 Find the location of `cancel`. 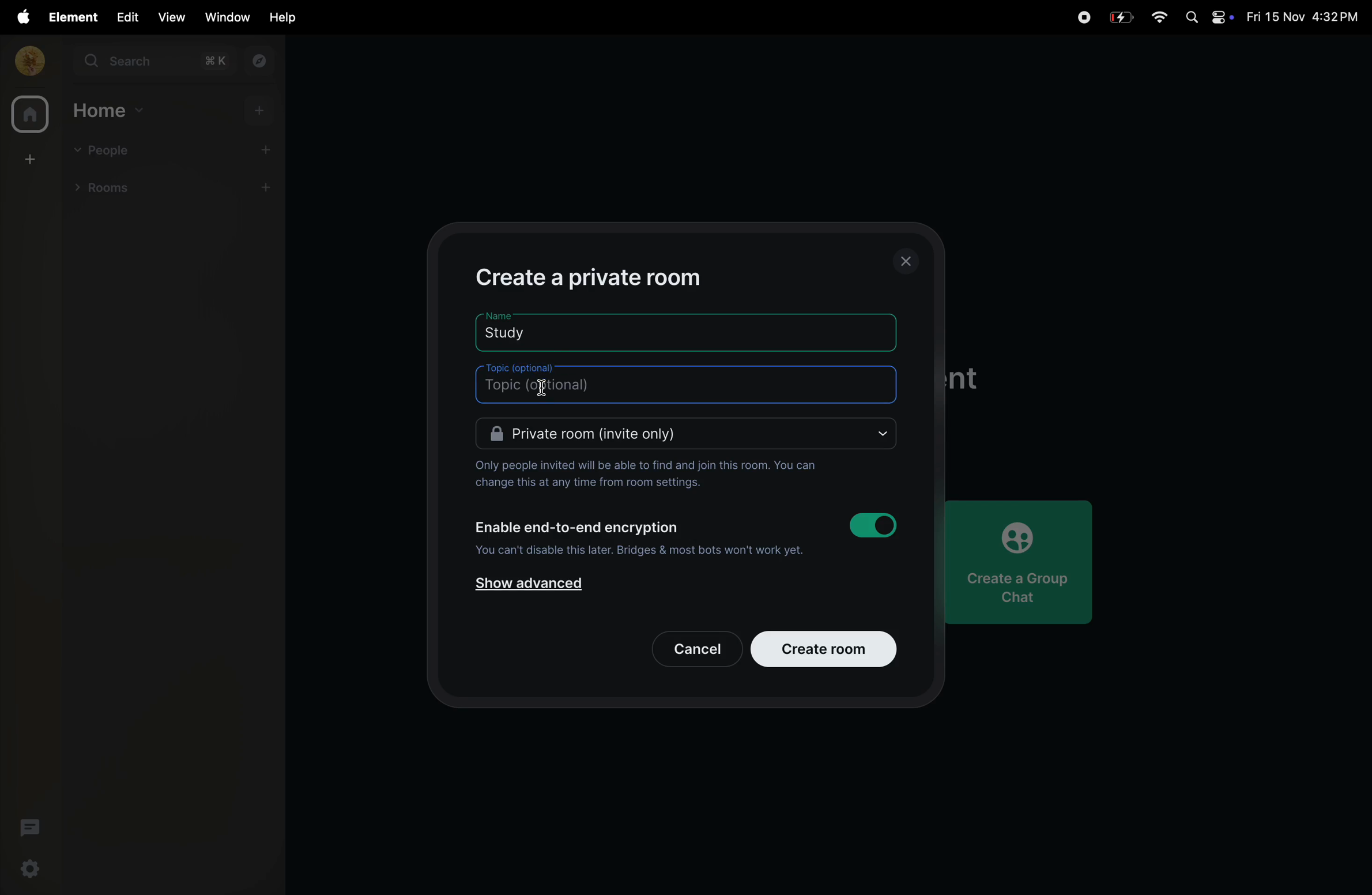

cancel is located at coordinates (688, 646).